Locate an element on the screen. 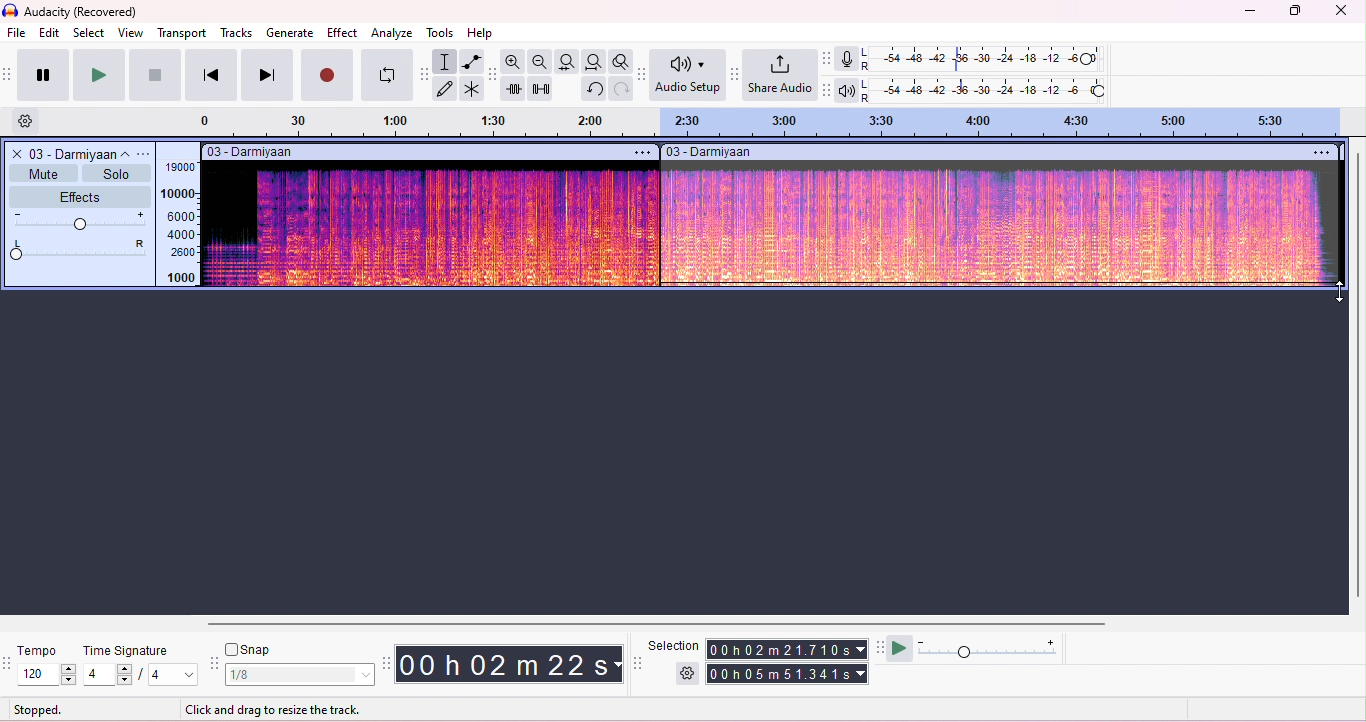 The height and width of the screenshot is (722, 1366). effects is located at coordinates (79, 197).